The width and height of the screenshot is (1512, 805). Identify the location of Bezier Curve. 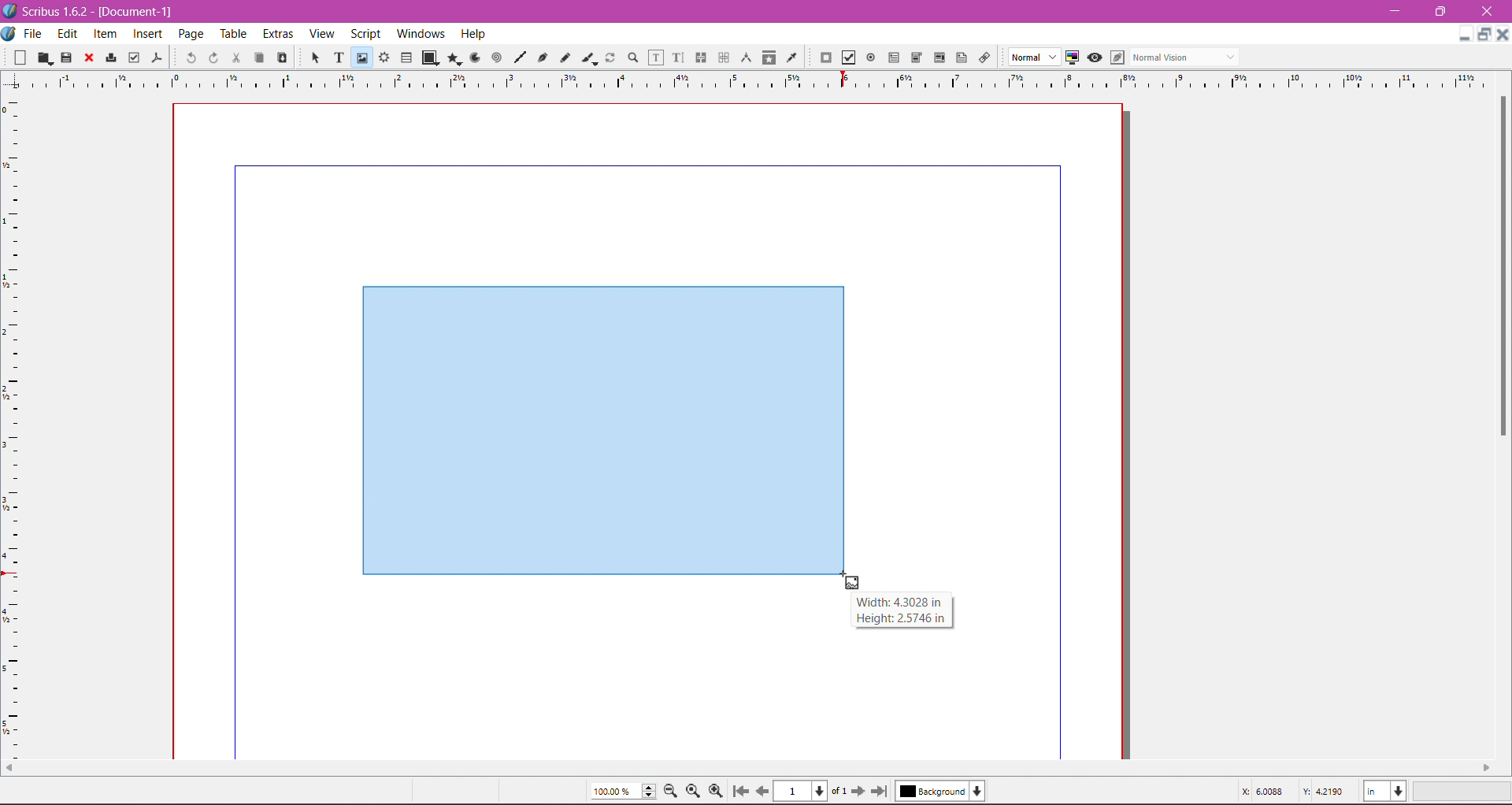
(543, 59).